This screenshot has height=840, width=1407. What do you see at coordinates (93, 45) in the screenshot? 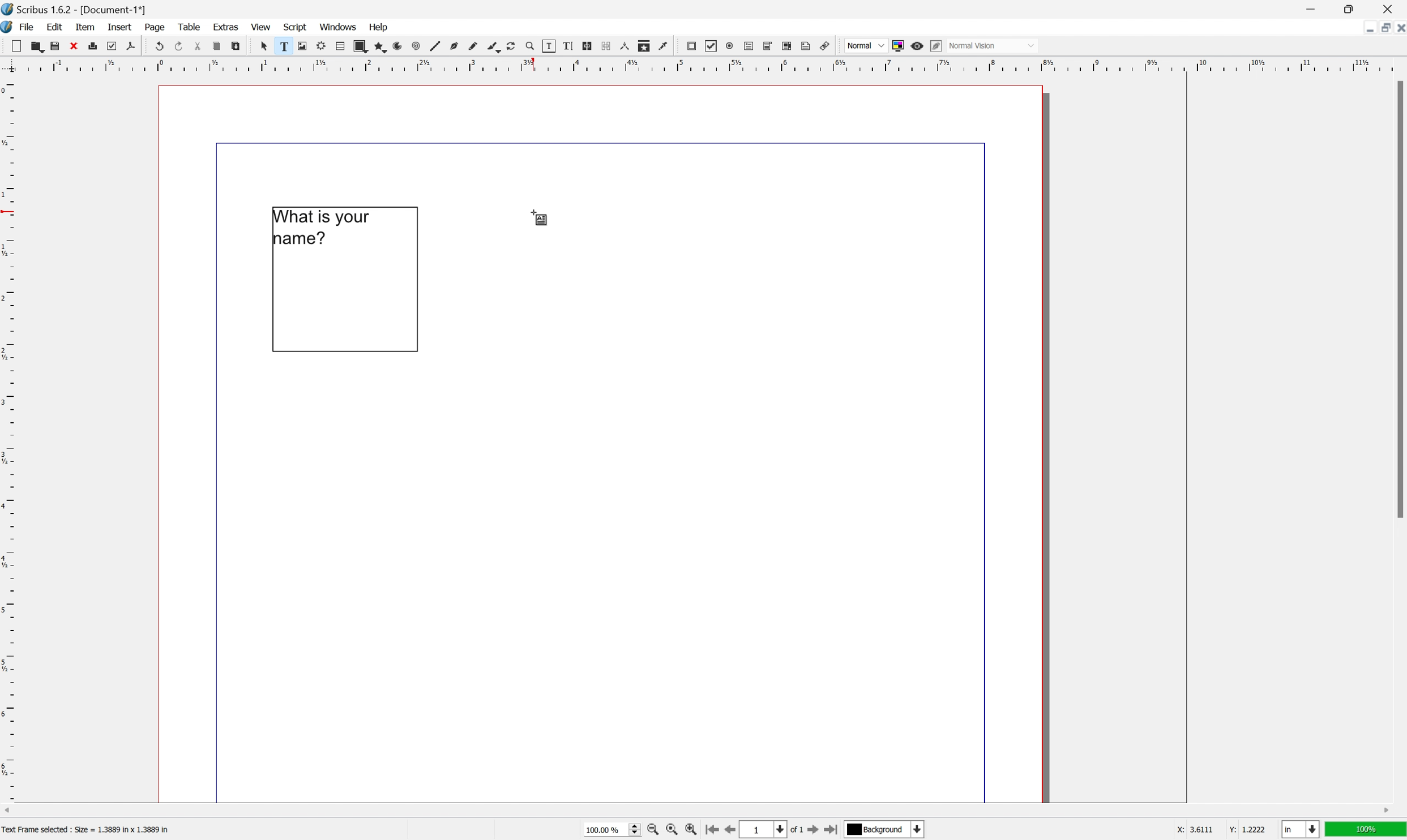
I see `print` at bounding box center [93, 45].